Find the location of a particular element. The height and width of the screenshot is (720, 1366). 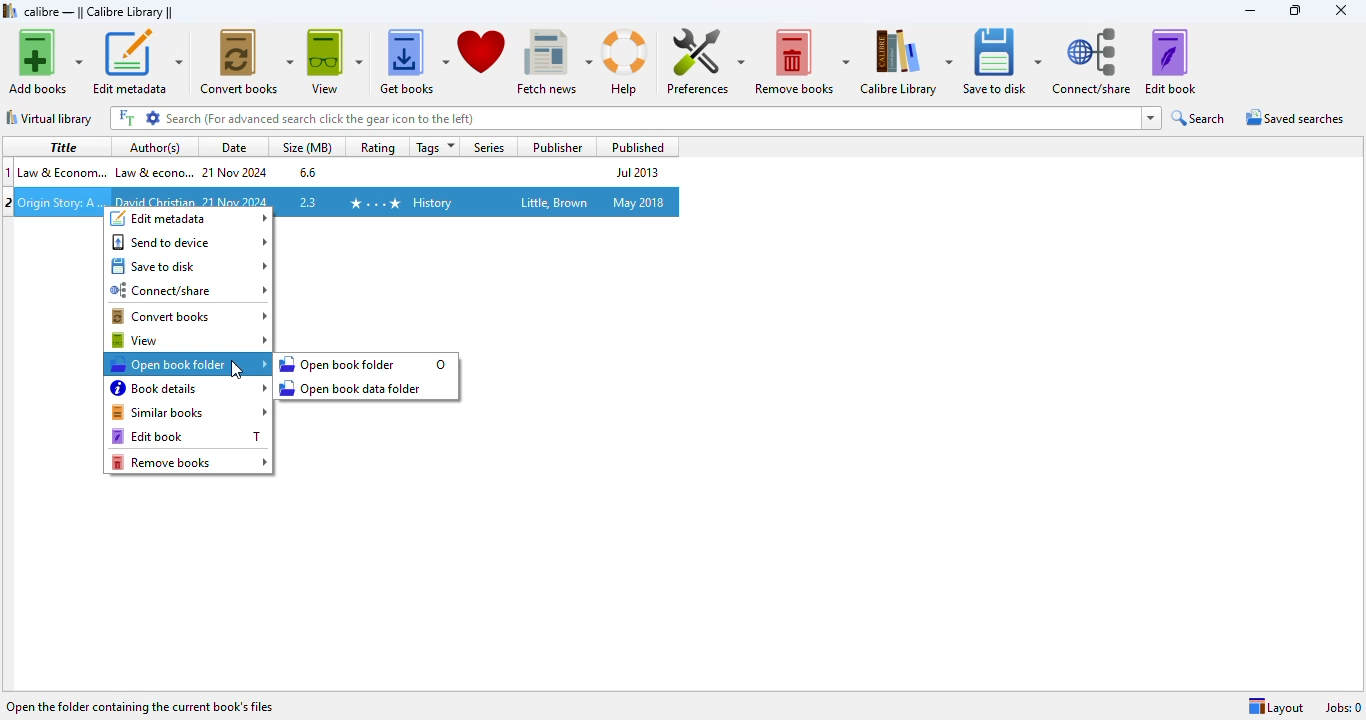

fetch news is located at coordinates (553, 60).